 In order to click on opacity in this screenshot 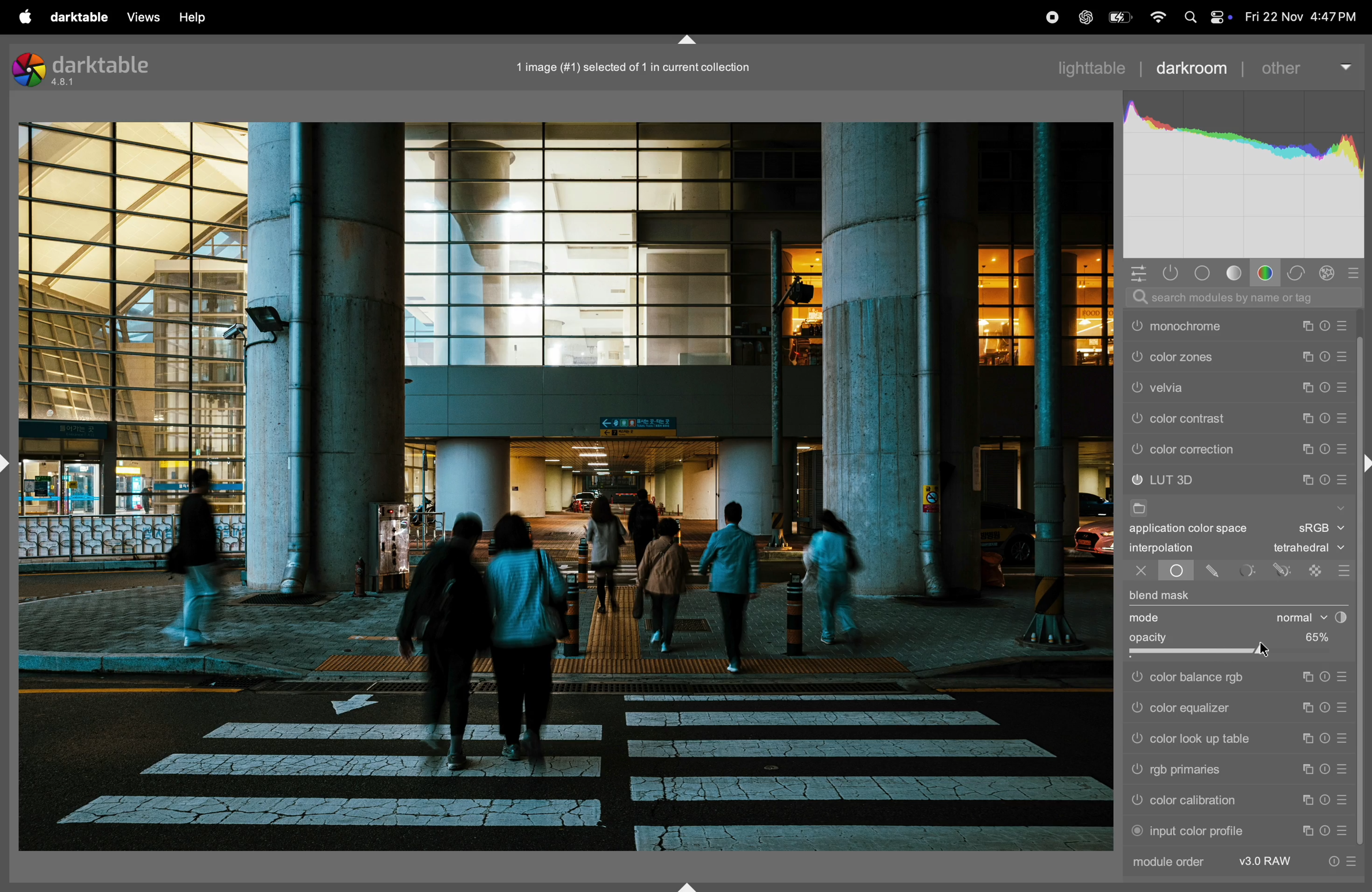, I will do `click(1152, 637)`.